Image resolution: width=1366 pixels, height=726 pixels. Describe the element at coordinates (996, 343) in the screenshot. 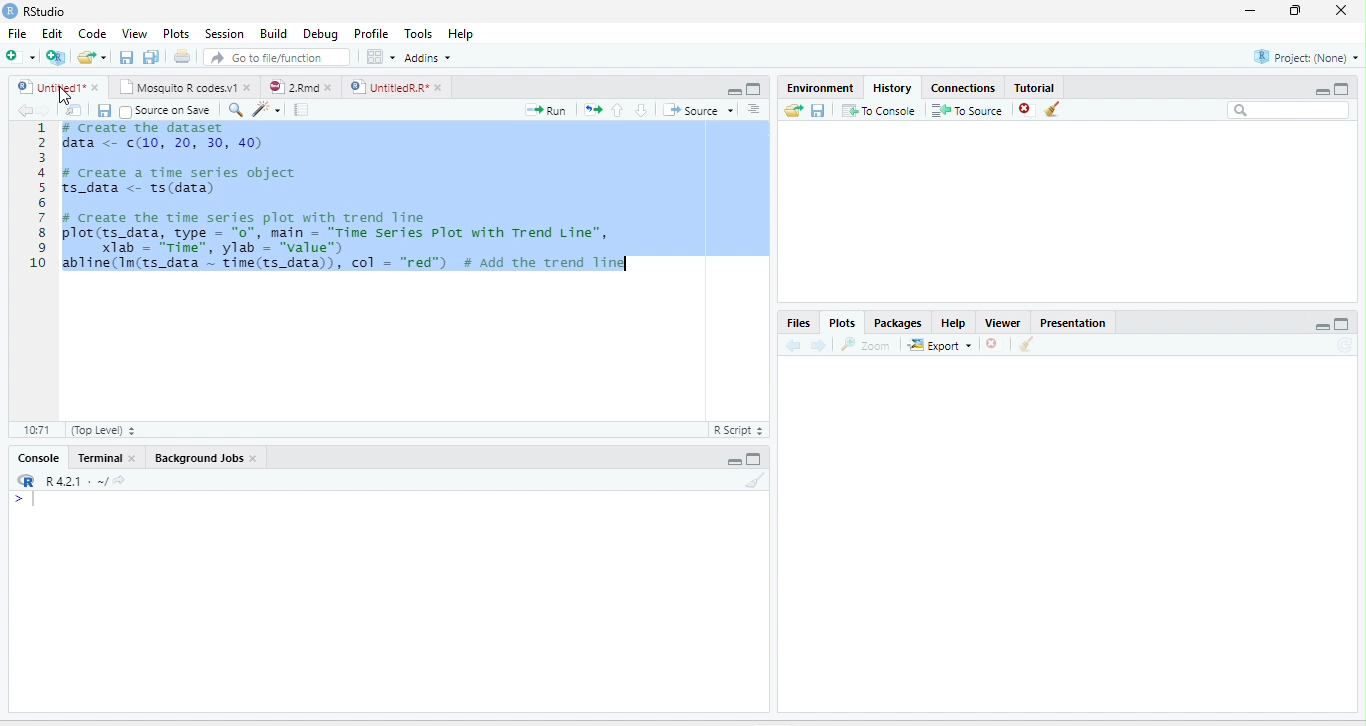

I see `Remove current plot` at that location.